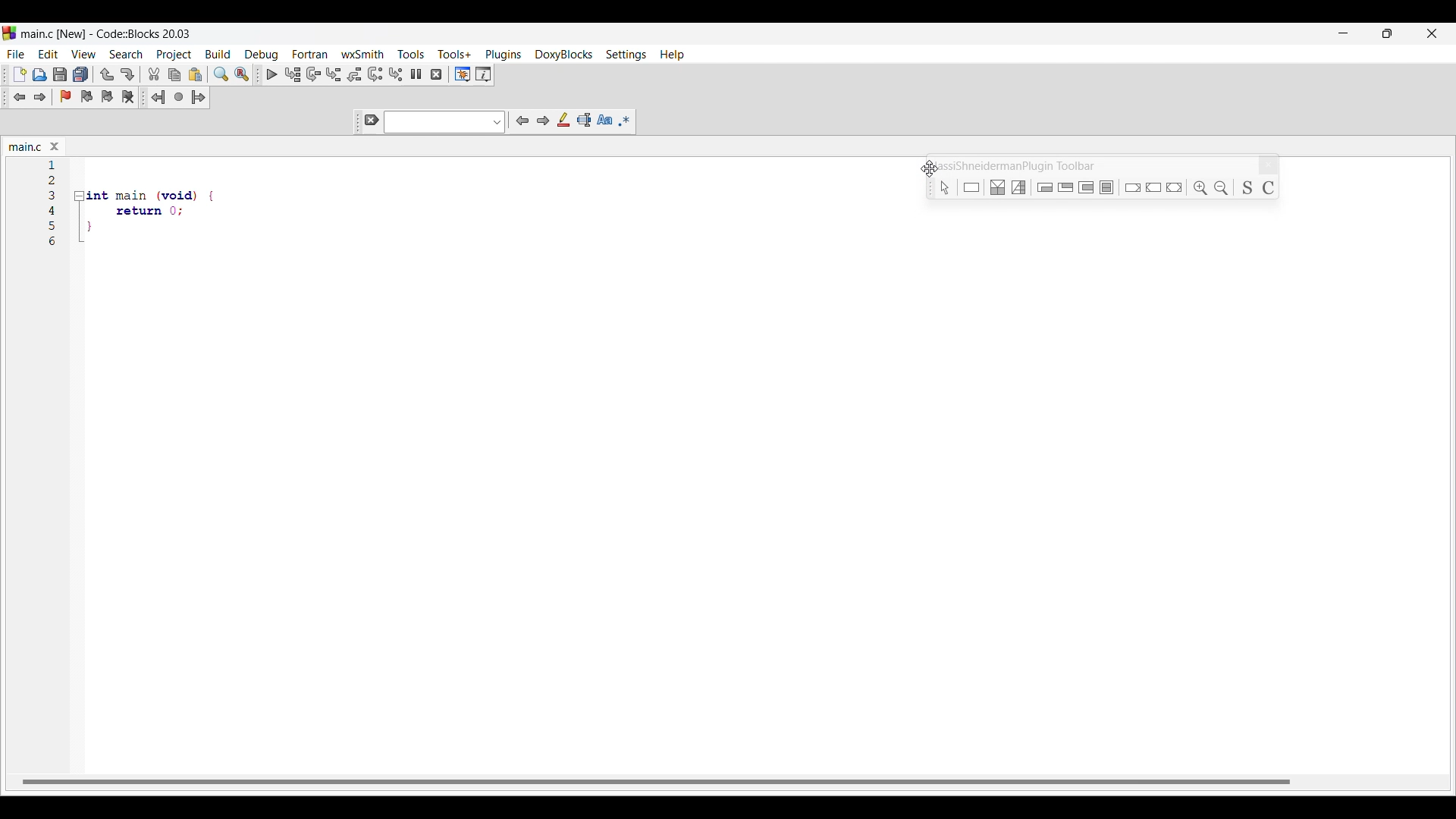  I want to click on , so click(54, 195).